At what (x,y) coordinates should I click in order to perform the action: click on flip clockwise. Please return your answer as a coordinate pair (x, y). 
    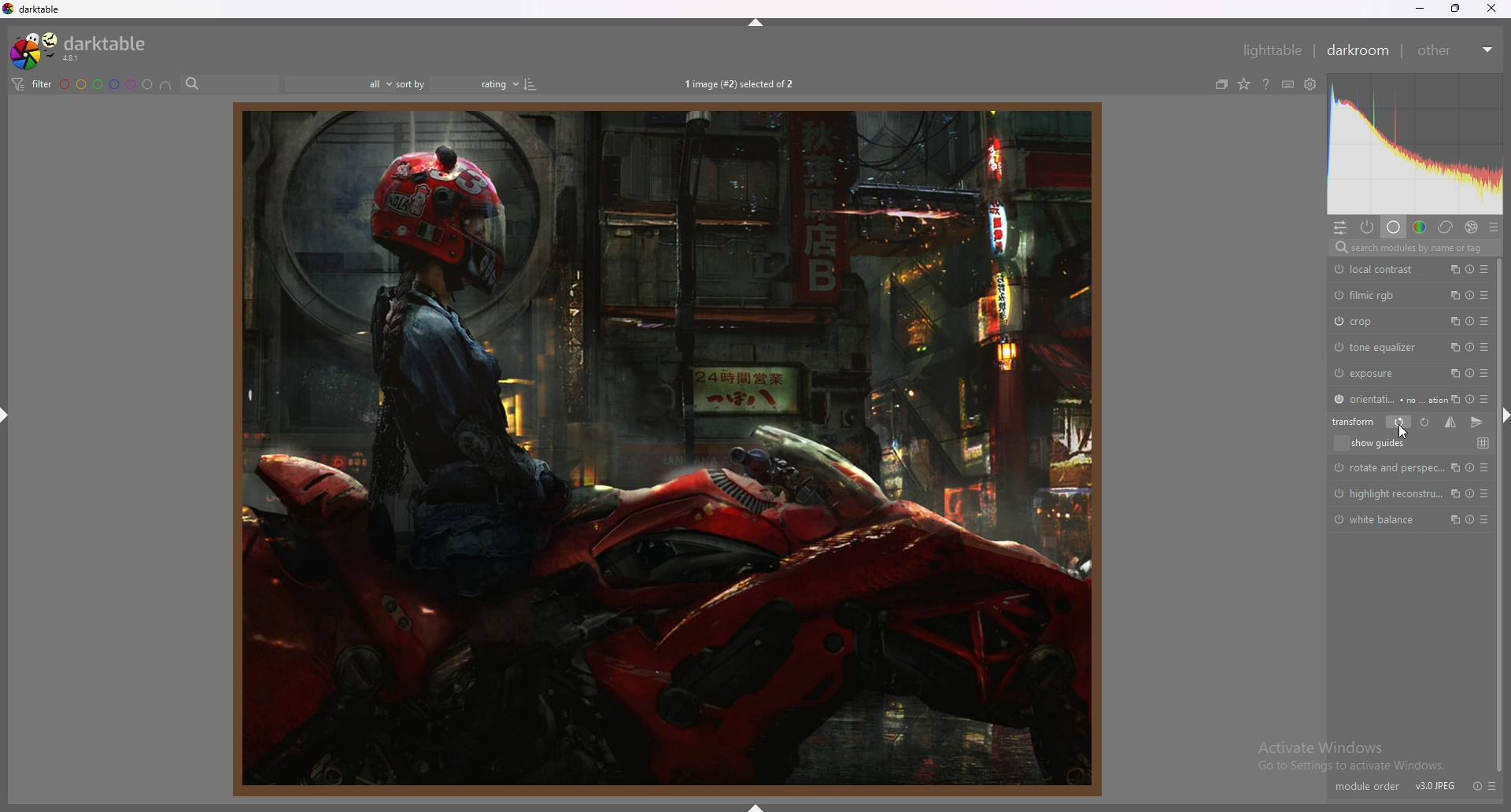
    Looking at the image, I should click on (1424, 423).